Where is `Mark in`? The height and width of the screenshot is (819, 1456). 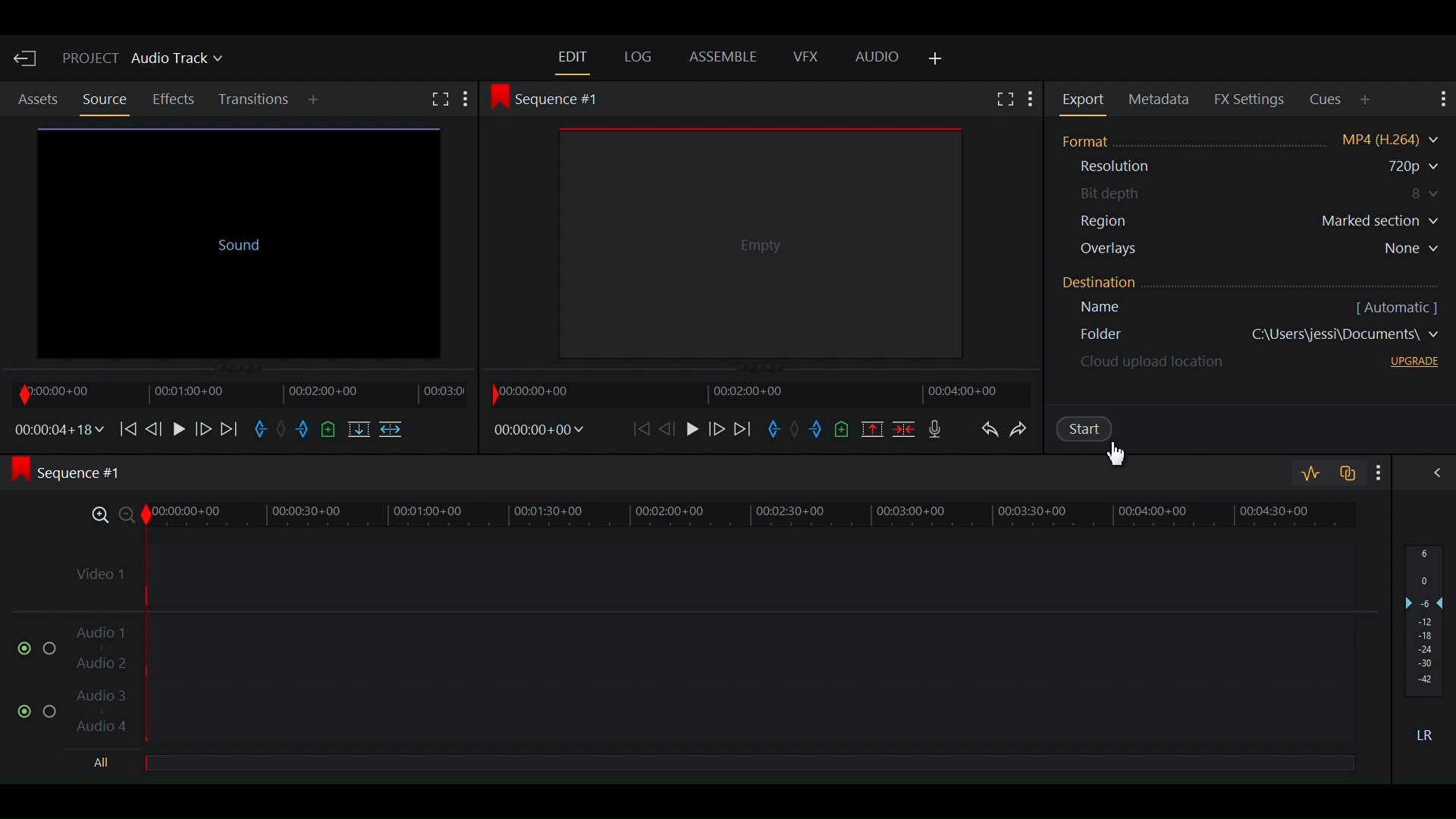
Mark in is located at coordinates (777, 431).